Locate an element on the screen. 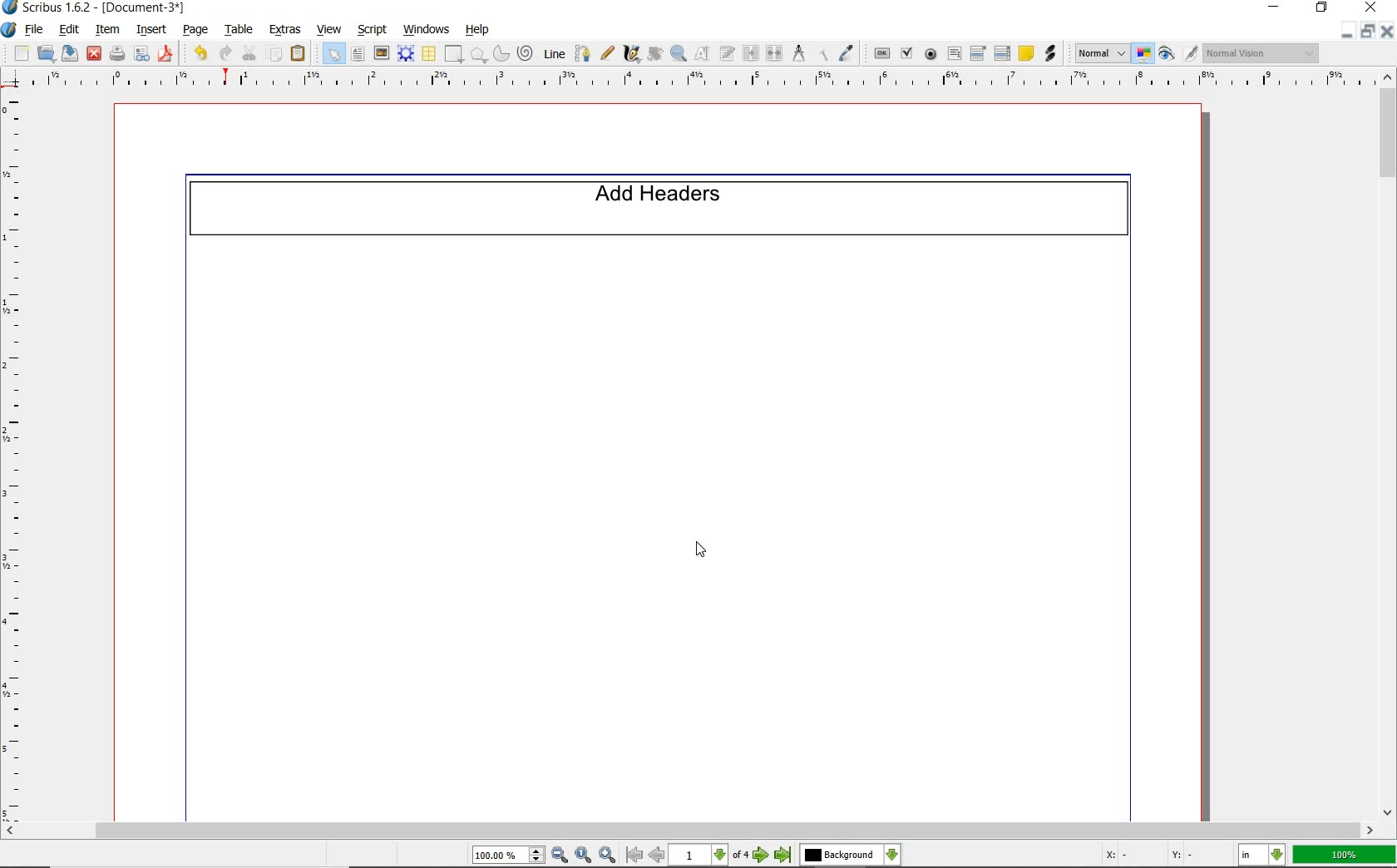 This screenshot has height=868, width=1397. pdf radio button is located at coordinates (931, 55).